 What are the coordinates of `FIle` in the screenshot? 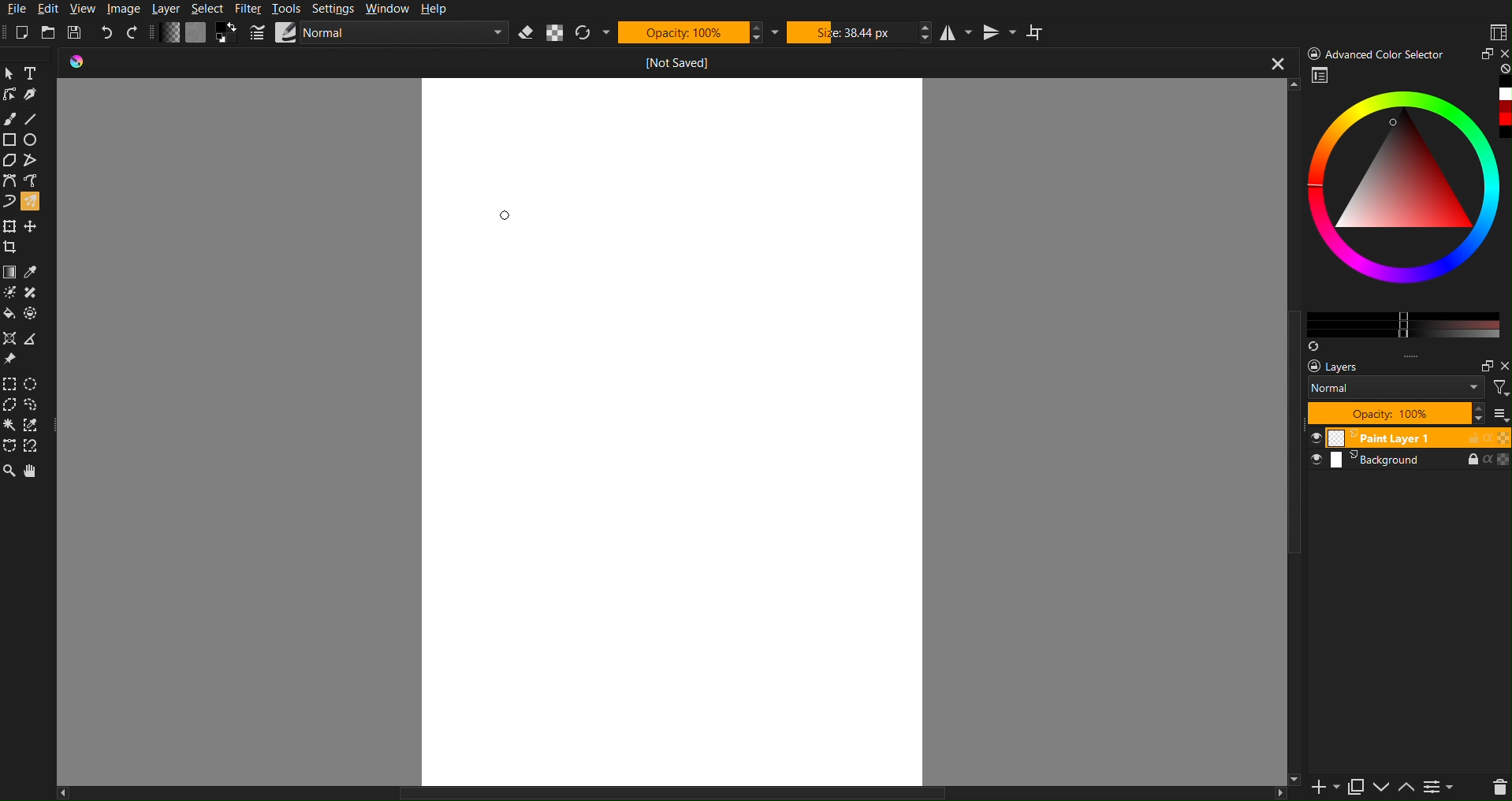 It's located at (18, 9).